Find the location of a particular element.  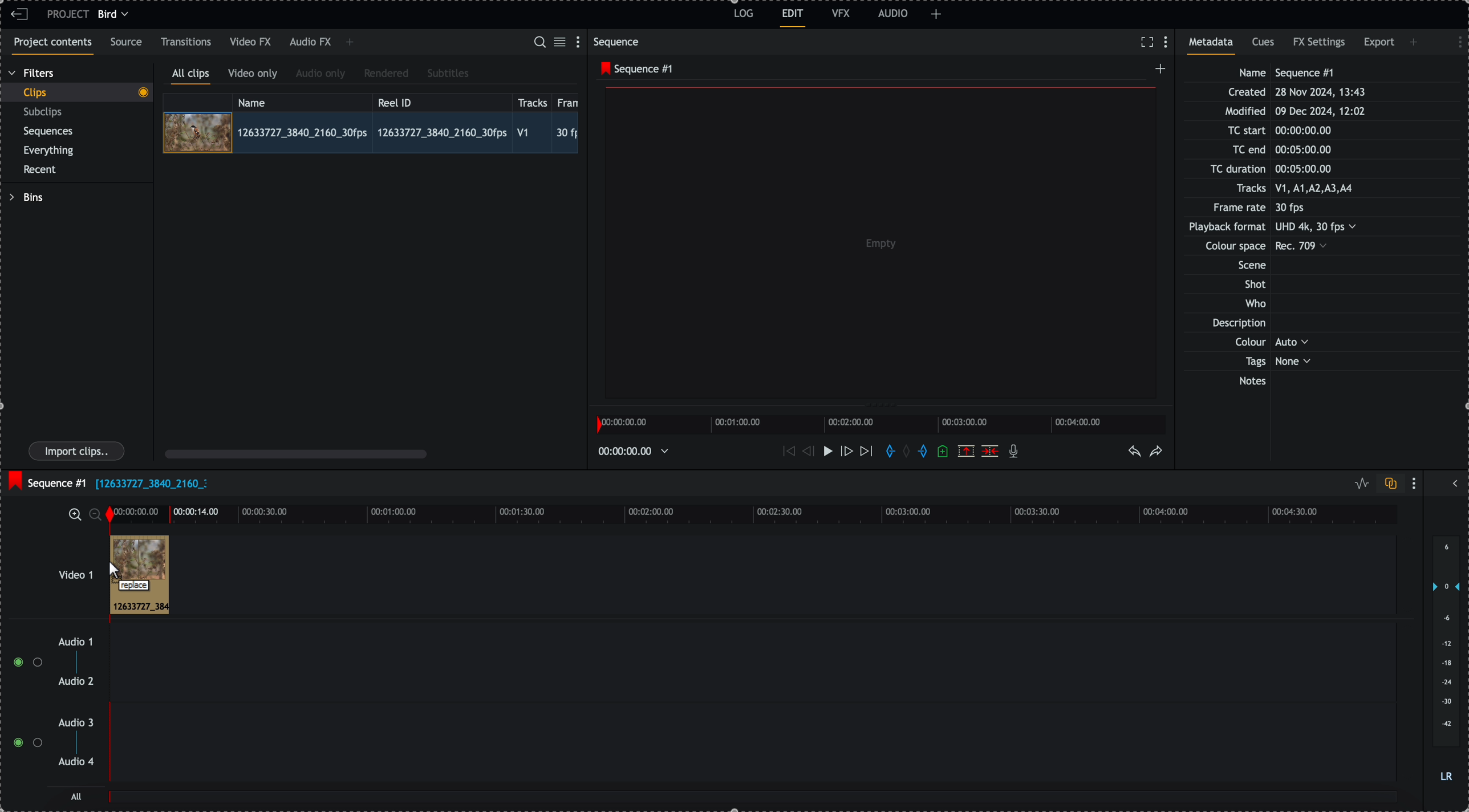

leave is located at coordinates (19, 15).